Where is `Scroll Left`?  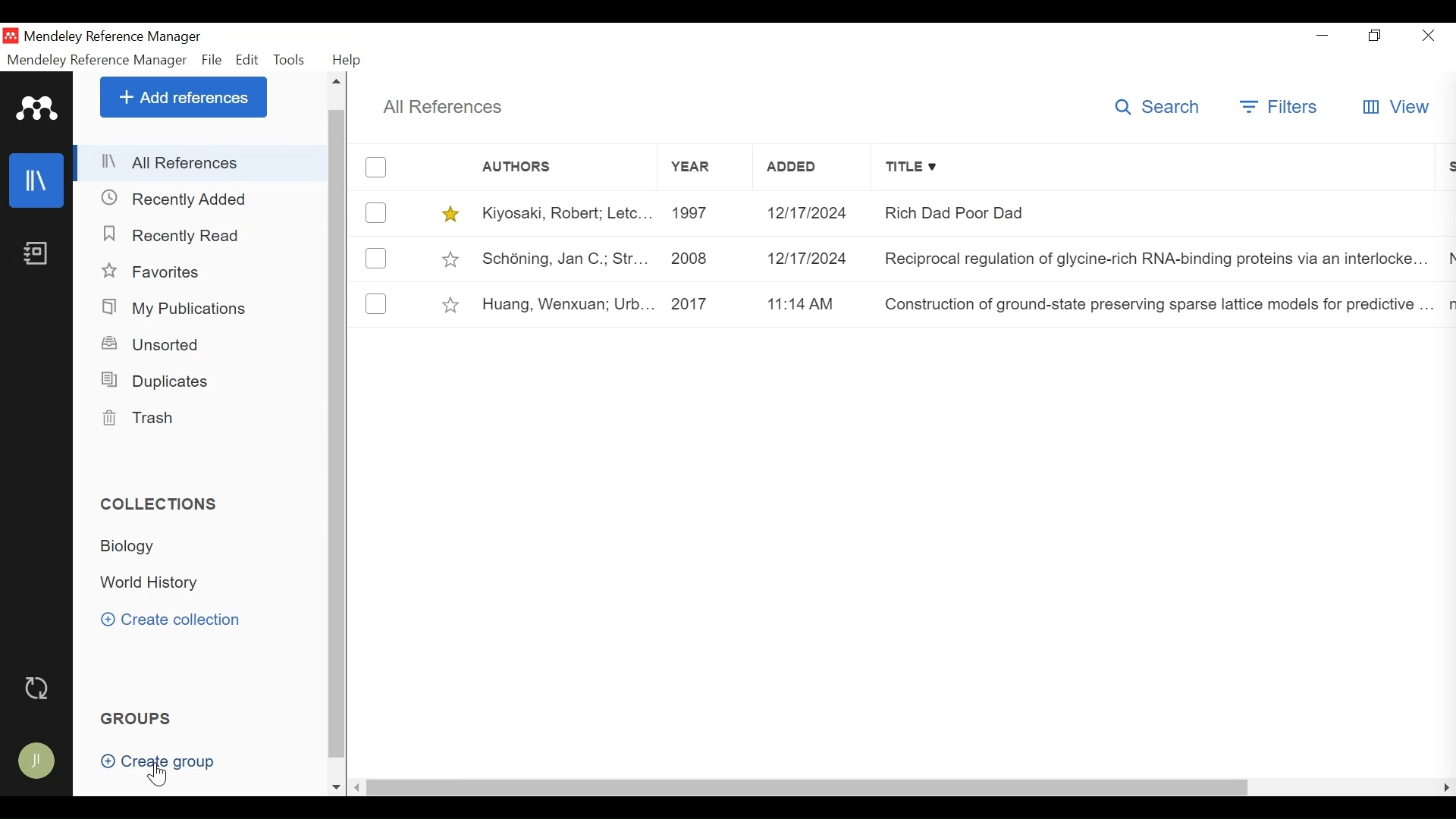
Scroll Left is located at coordinates (360, 786).